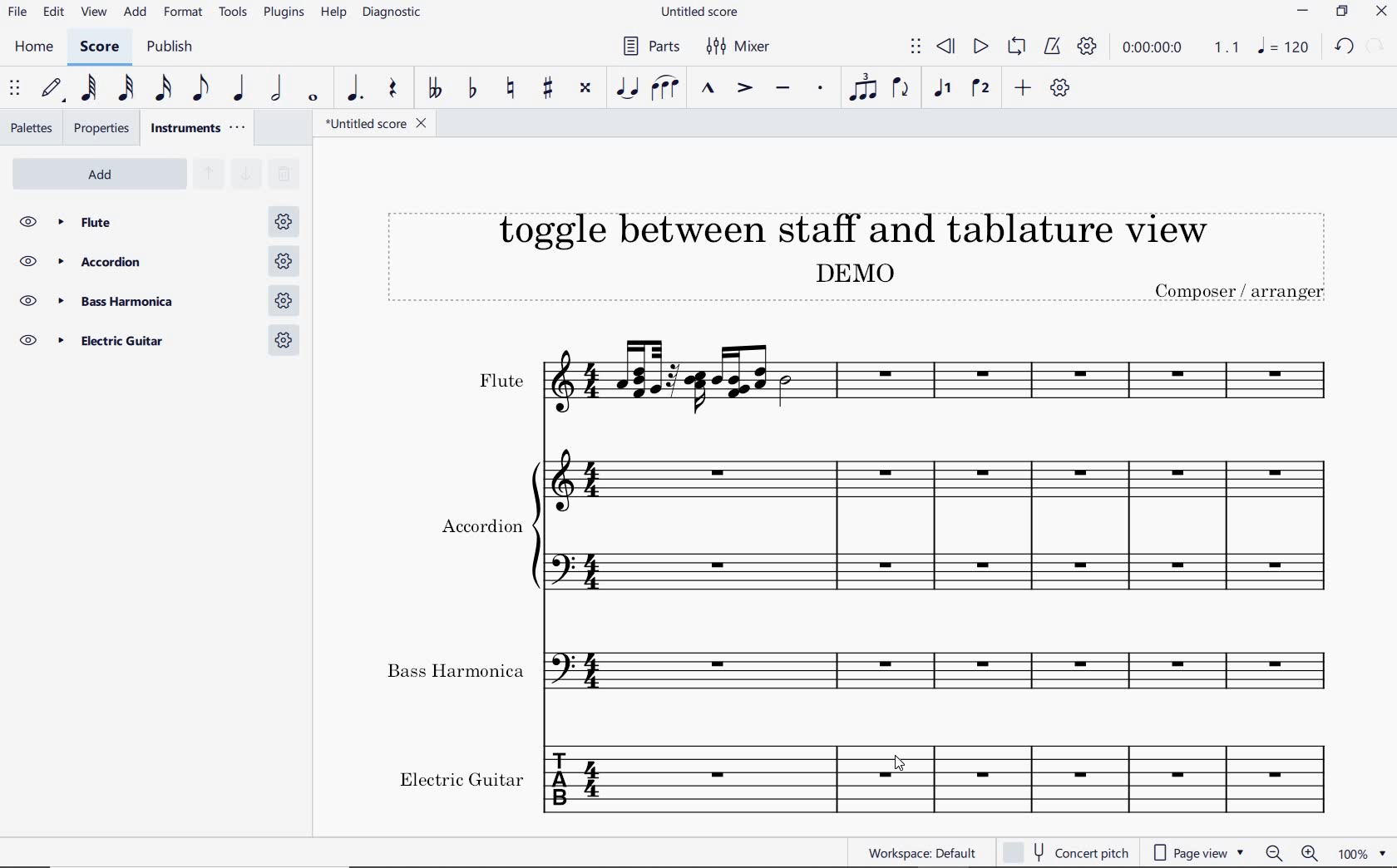 The height and width of the screenshot is (868, 1397). I want to click on select to move, so click(17, 89).